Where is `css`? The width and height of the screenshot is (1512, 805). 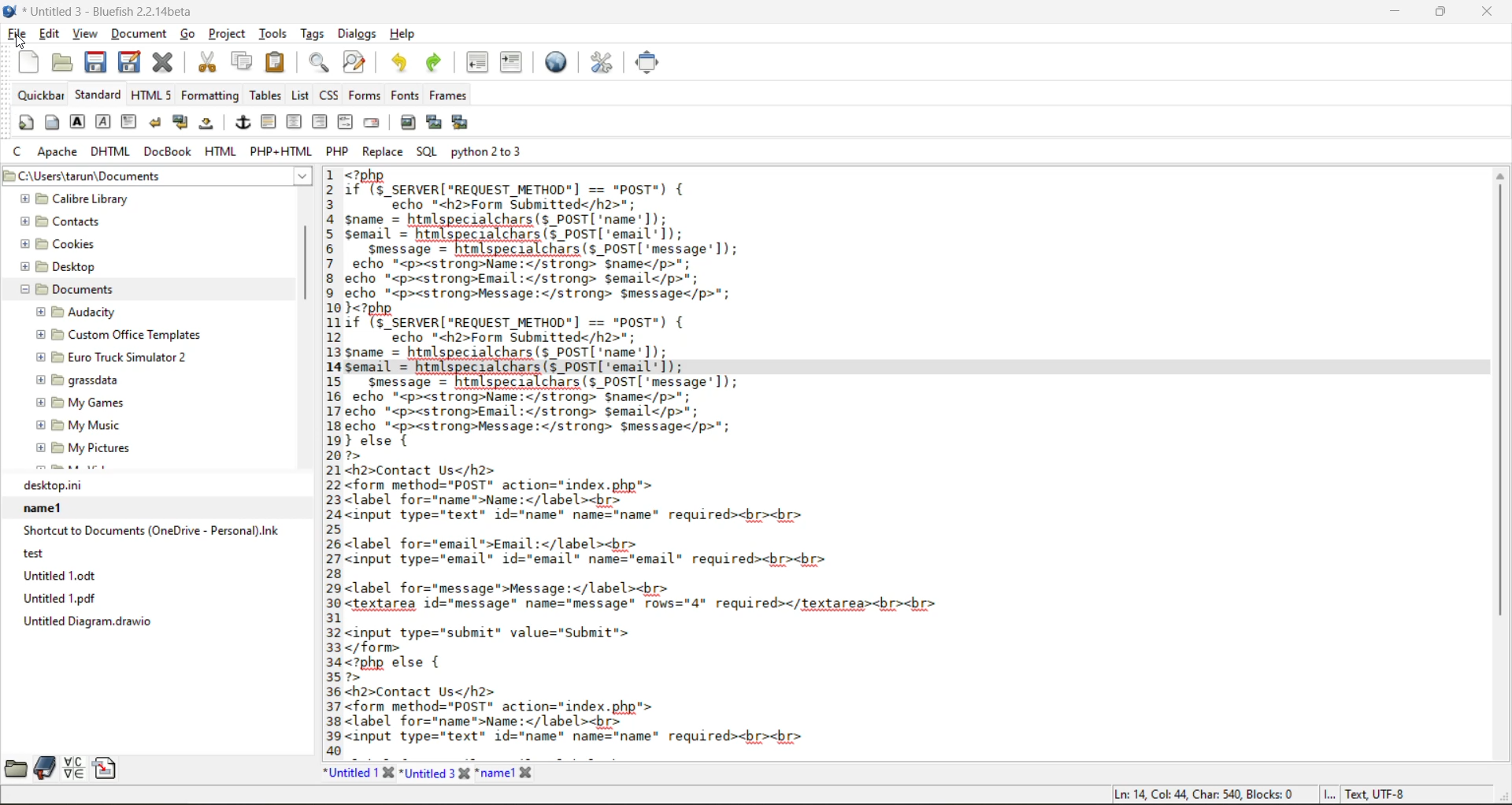 css is located at coordinates (330, 95).